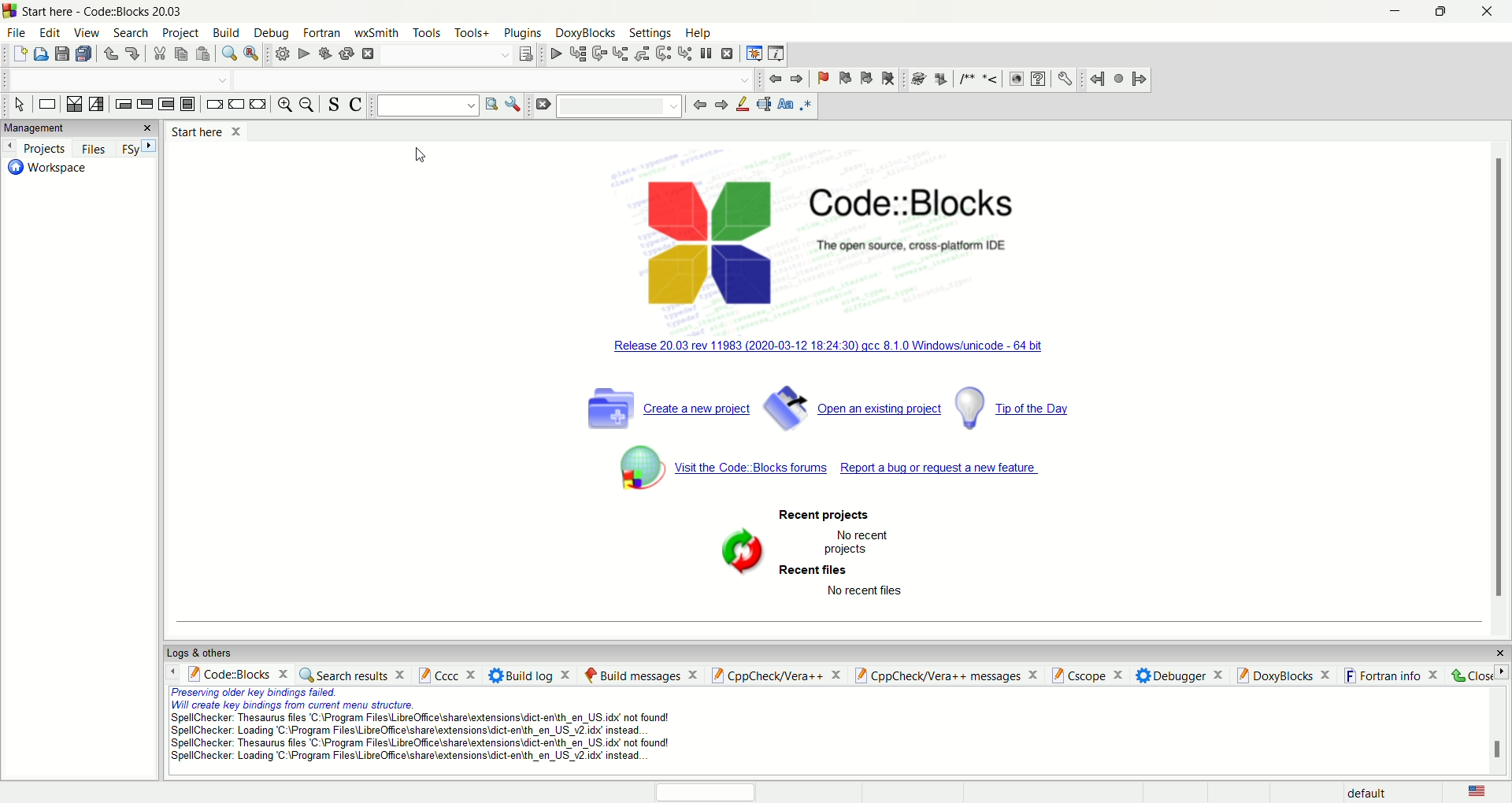 This screenshot has width=1512, height=803. I want to click on settings, so click(1064, 78).